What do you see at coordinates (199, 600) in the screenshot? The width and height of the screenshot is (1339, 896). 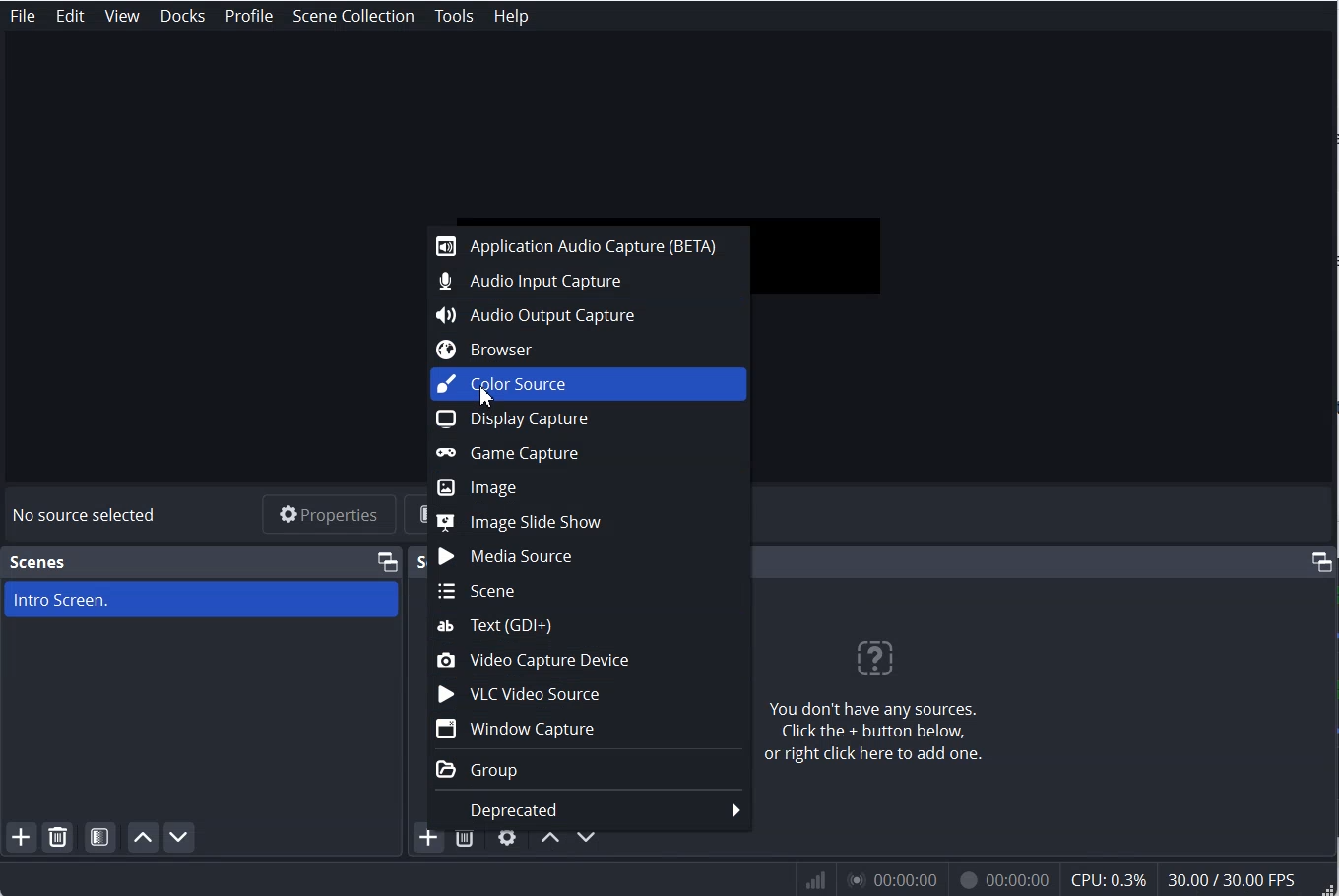 I see `Intro Screen ` at bounding box center [199, 600].